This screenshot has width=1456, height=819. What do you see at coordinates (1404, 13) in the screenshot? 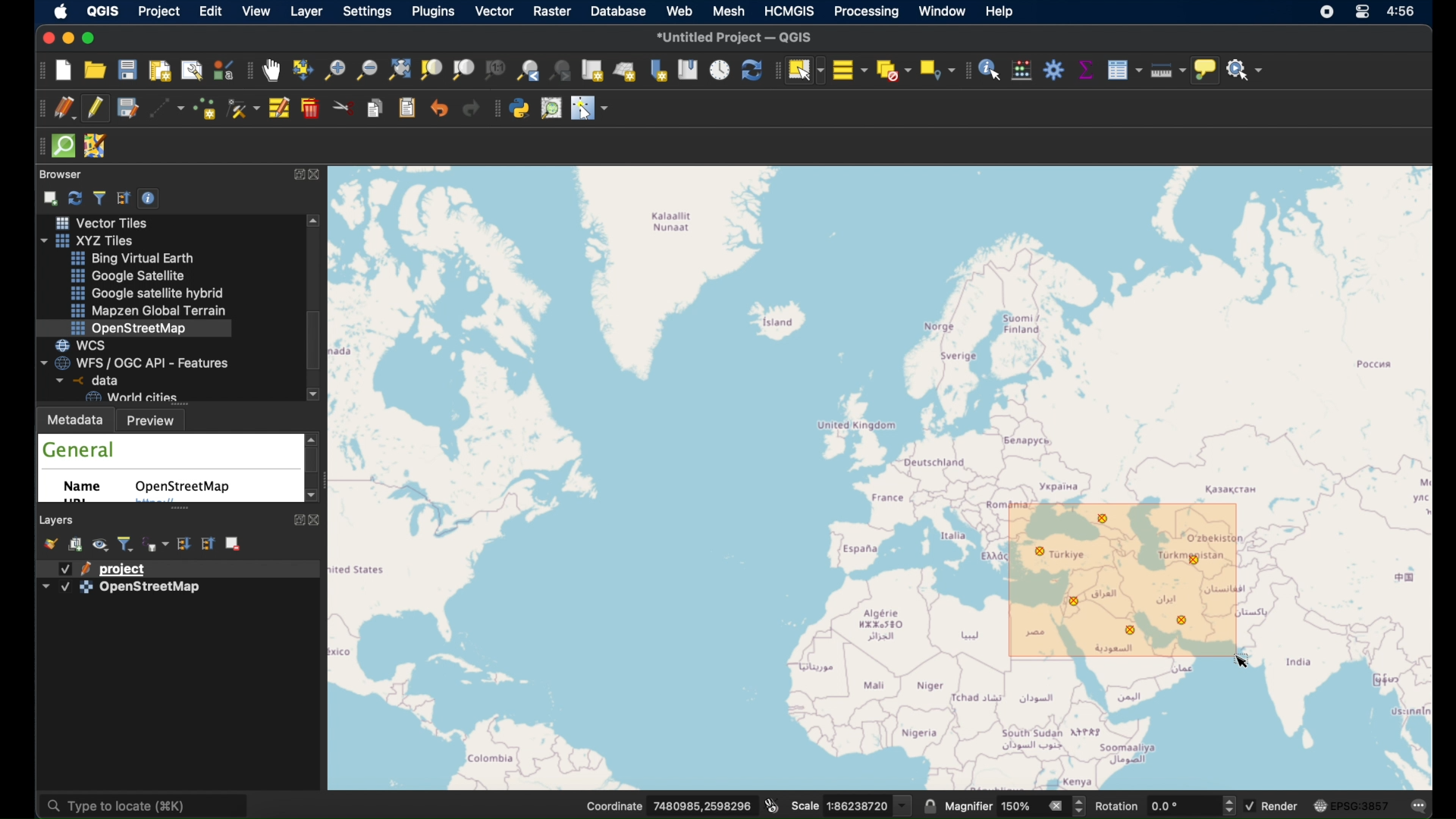
I see `time` at bounding box center [1404, 13].